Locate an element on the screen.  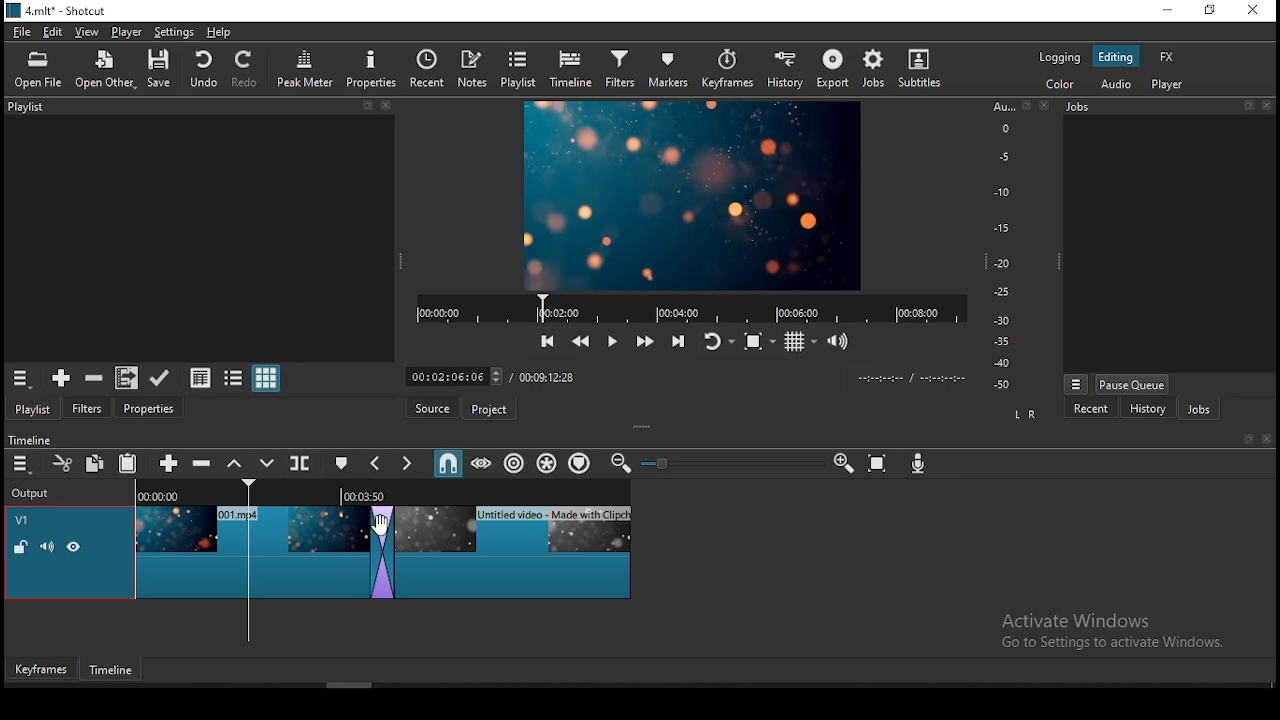
lift is located at coordinates (232, 464).